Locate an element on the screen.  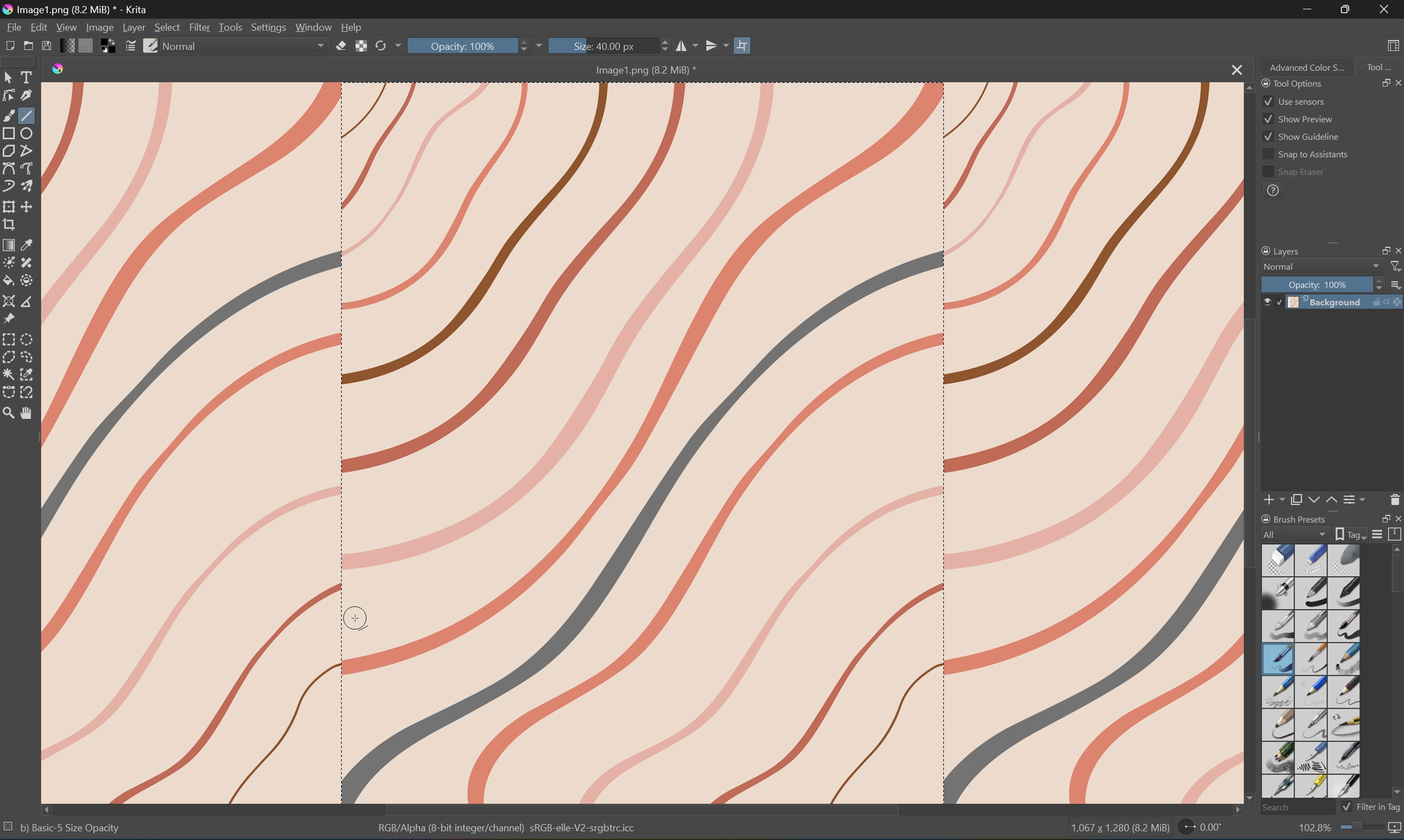
Choose brush preset is located at coordinates (151, 45).